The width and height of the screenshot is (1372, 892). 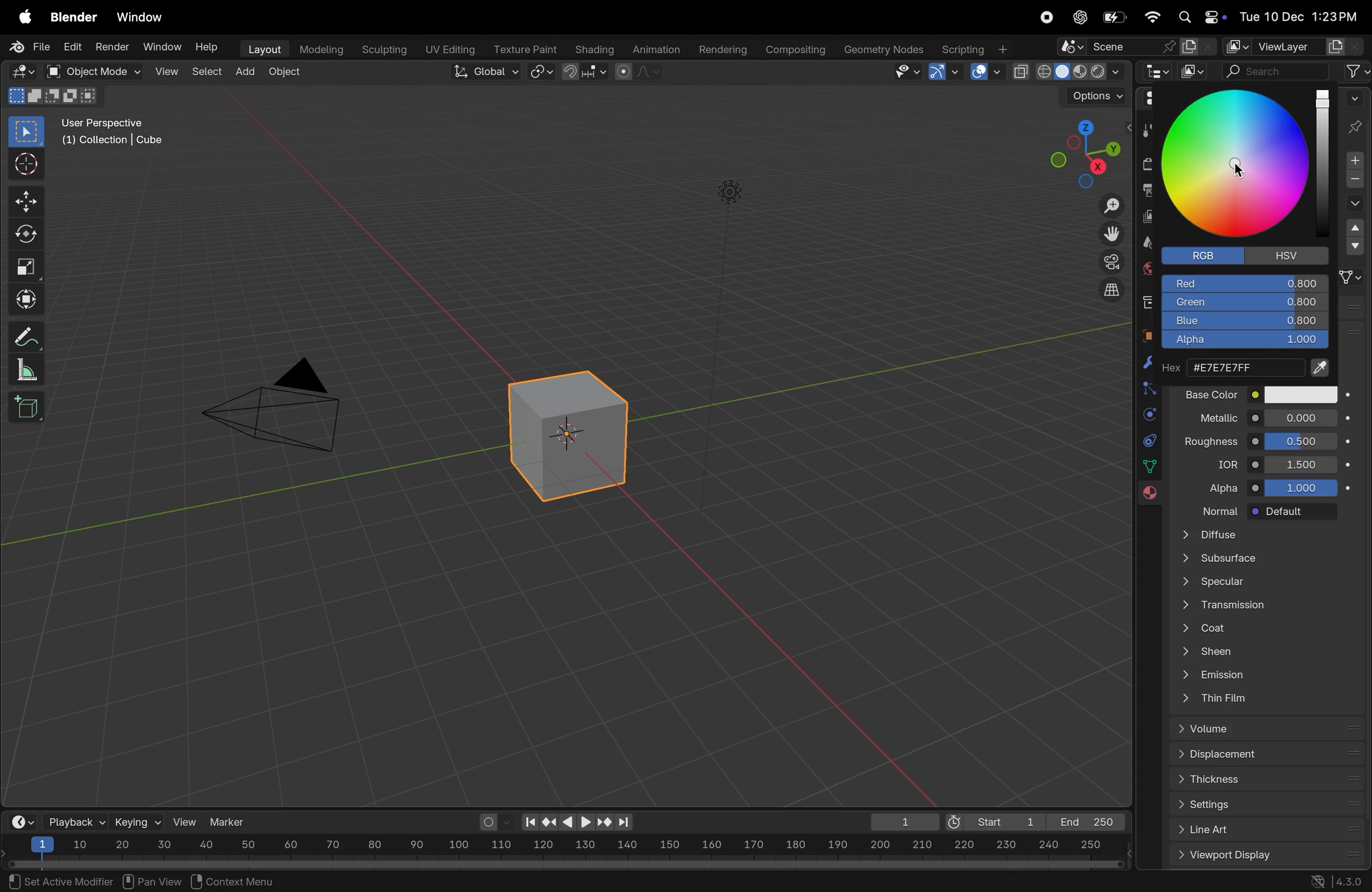 What do you see at coordinates (25, 202) in the screenshot?
I see `move` at bounding box center [25, 202].